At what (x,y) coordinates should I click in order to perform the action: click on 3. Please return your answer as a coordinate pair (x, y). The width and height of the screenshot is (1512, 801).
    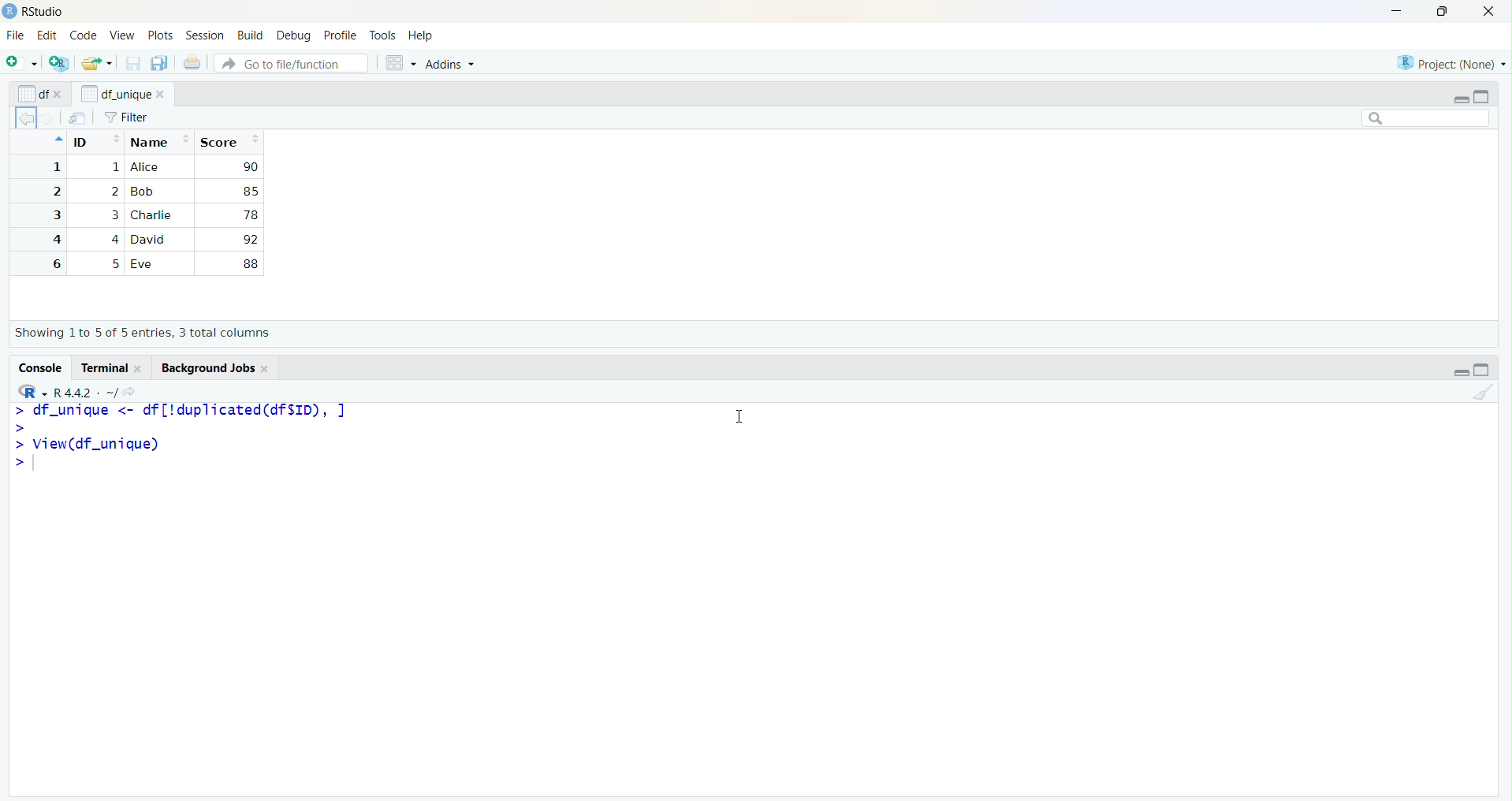
    Looking at the image, I should click on (112, 215).